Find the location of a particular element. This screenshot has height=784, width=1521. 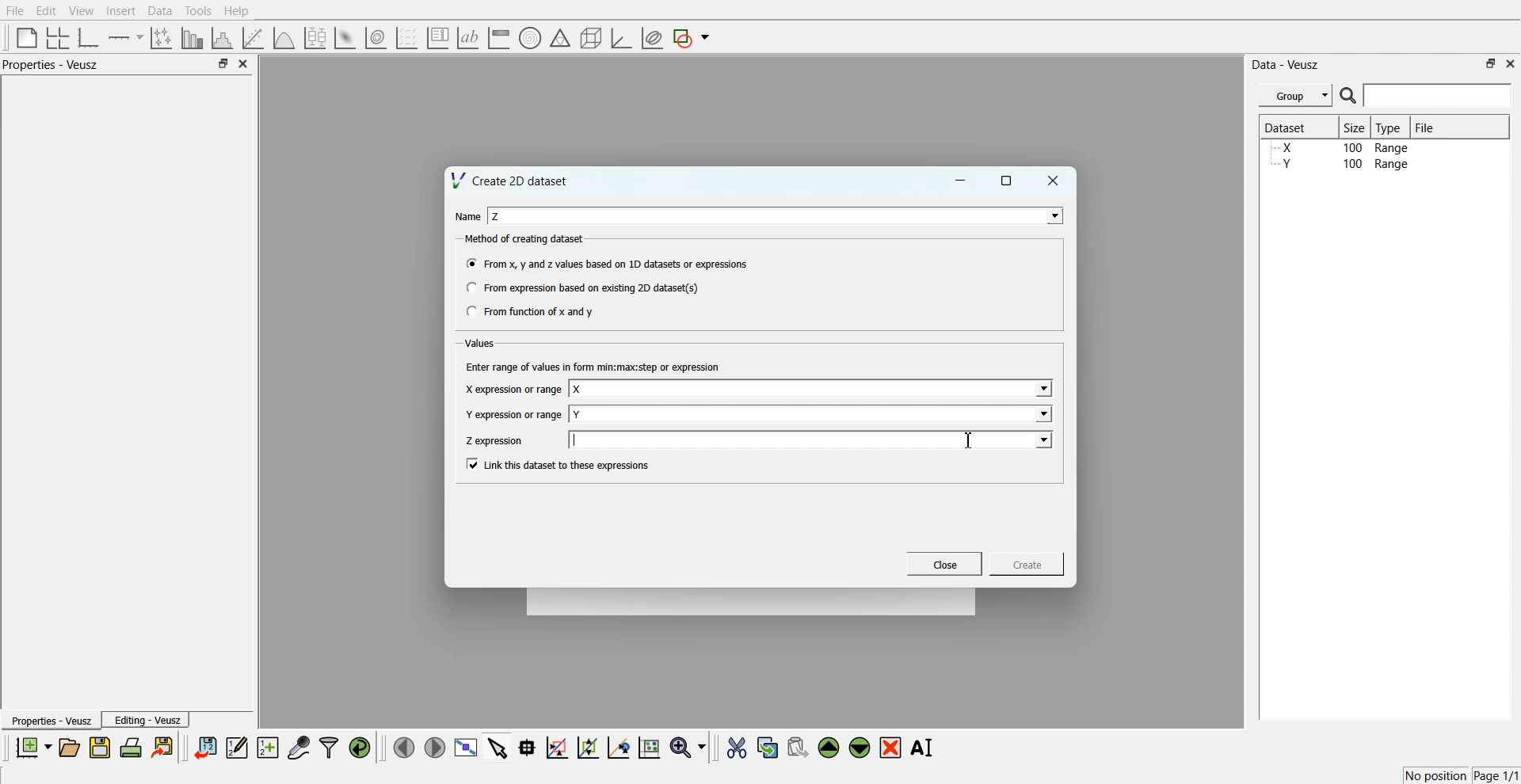

Histogram of dataset is located at coordinates (220, 39).